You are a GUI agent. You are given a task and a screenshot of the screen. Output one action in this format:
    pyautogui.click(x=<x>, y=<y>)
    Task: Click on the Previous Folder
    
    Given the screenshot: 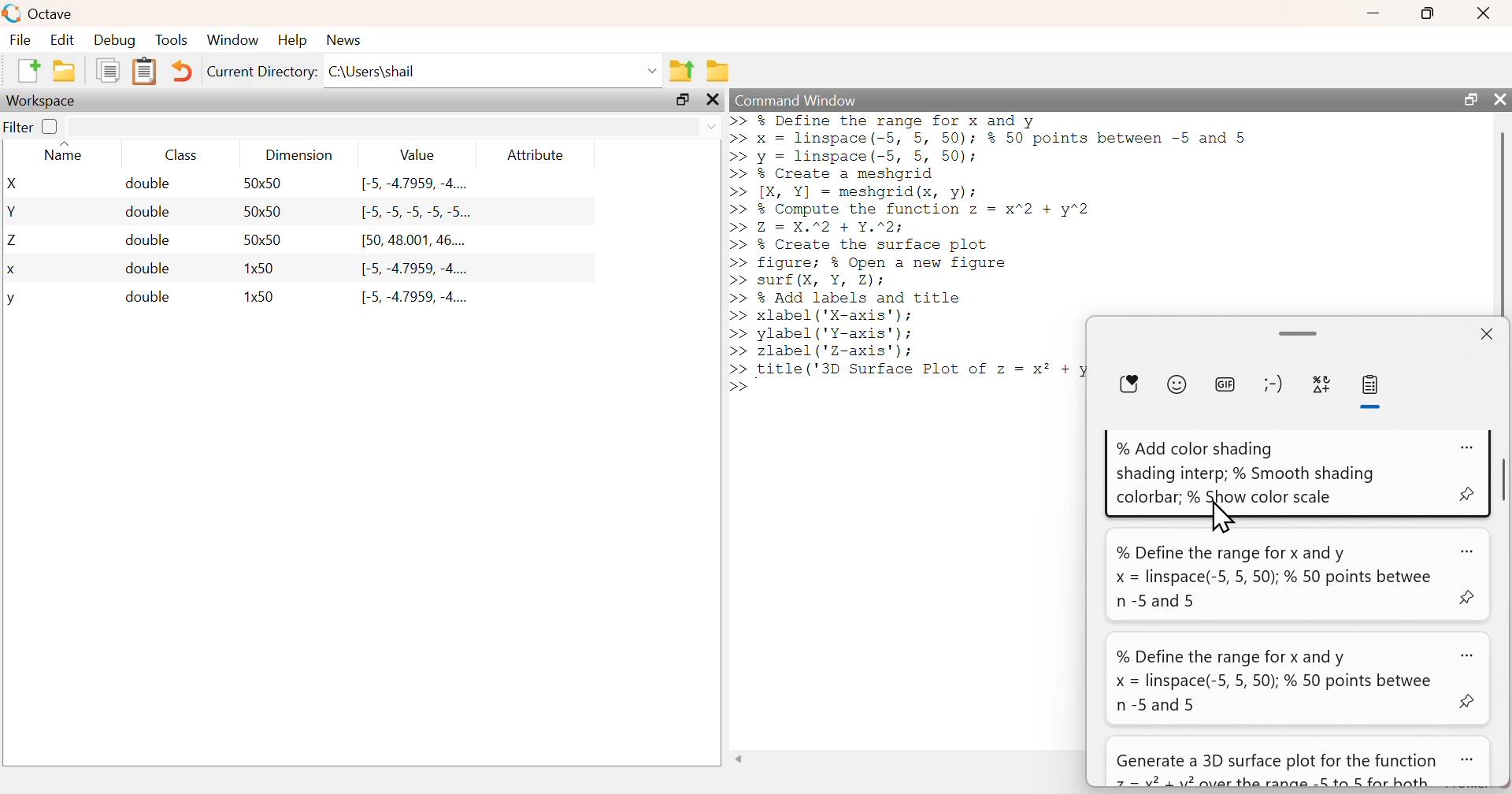 What is the action you would take?
    pyautogui.click(x=681, y=72)
    